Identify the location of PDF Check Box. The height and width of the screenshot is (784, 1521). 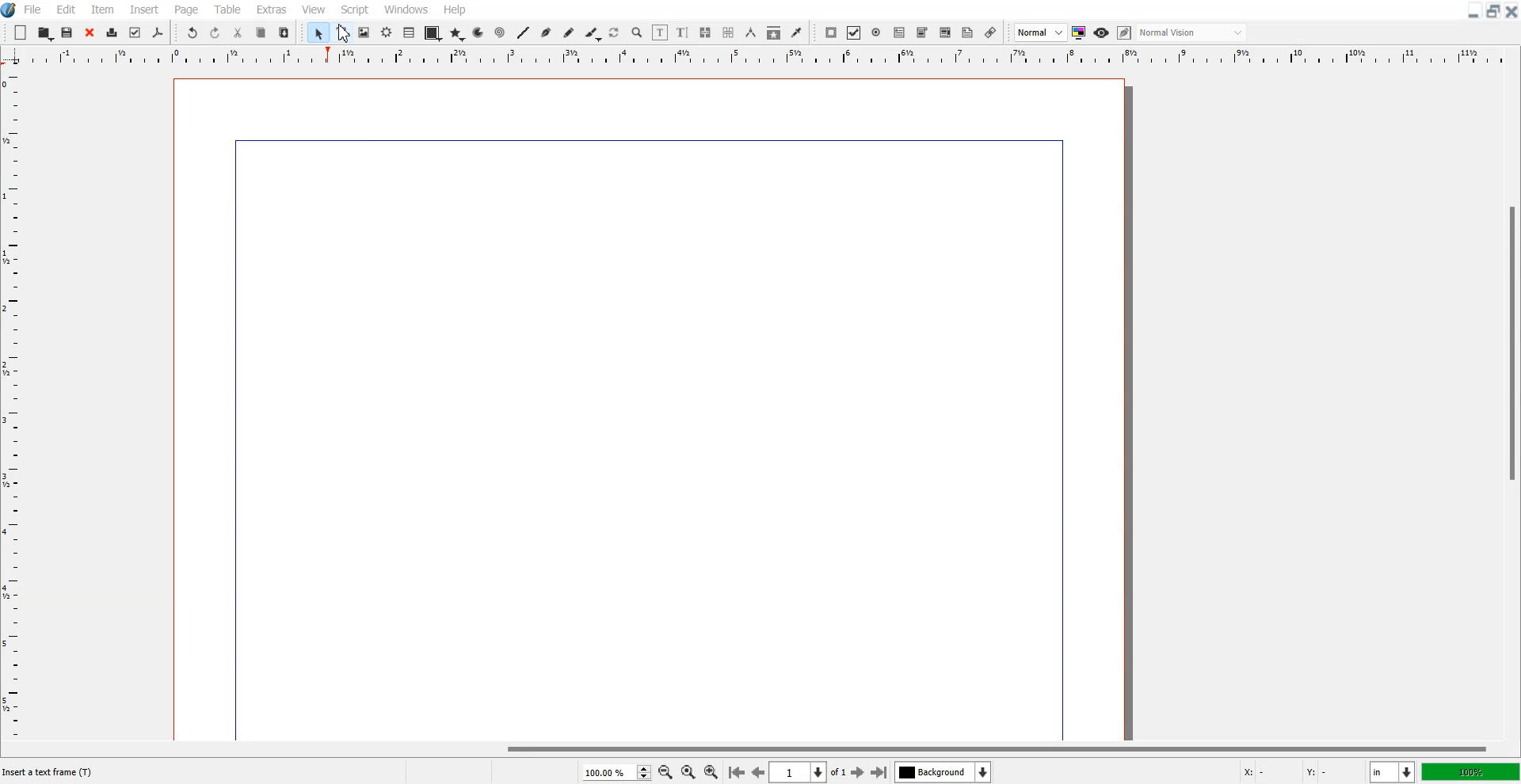
(854, 33).